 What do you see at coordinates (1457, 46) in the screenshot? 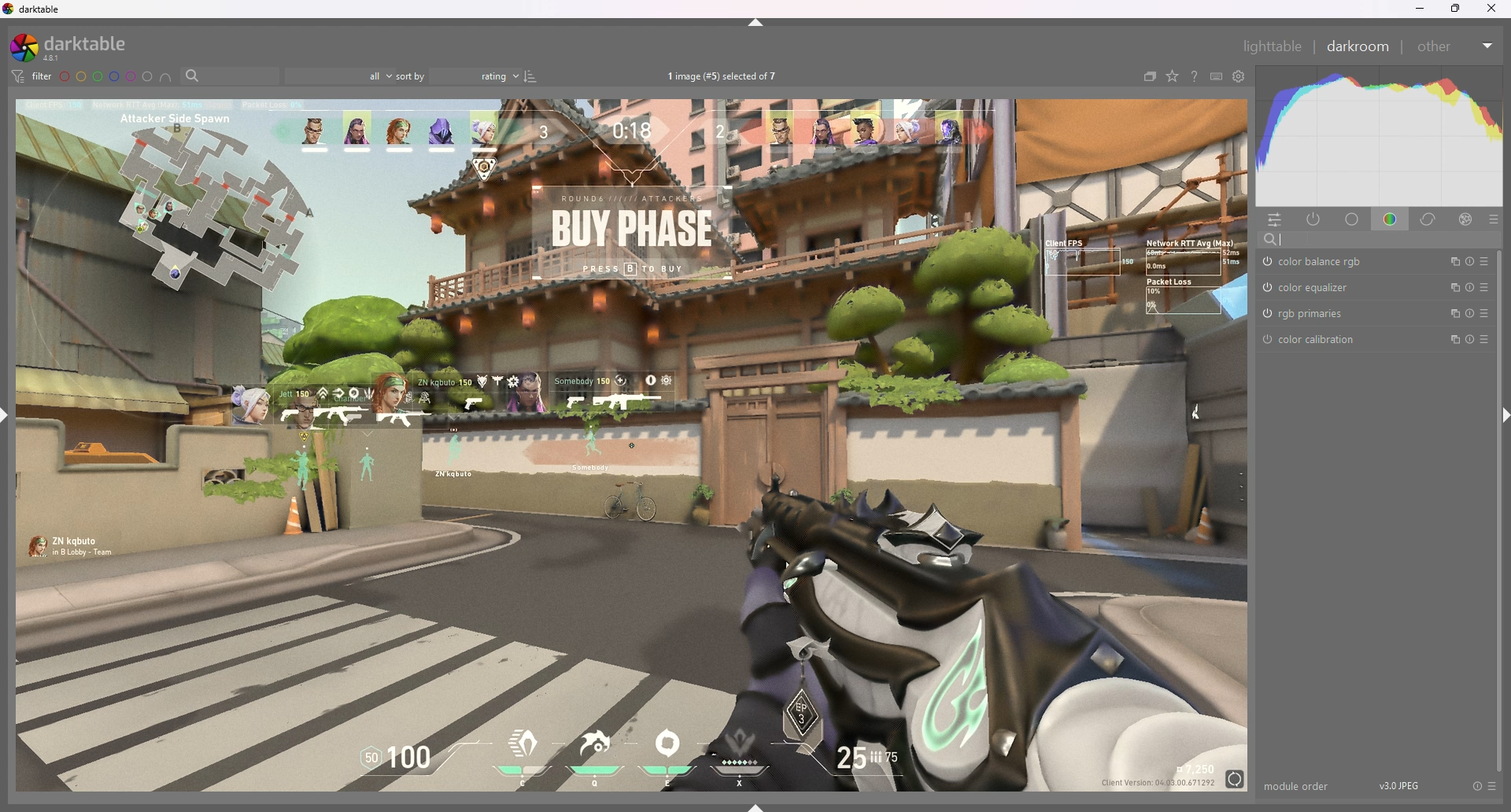
I see `other` at bounding box center [1457, 46].